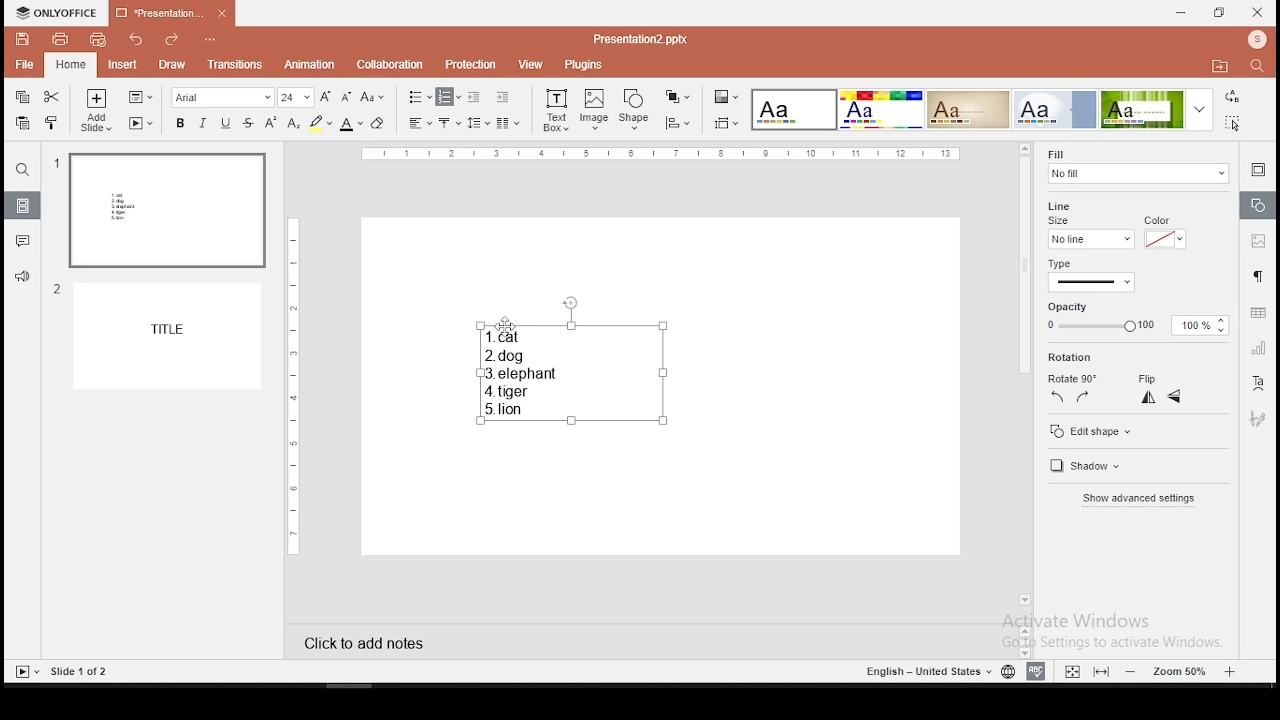 This screenshot has width=1280, height=720. Describe the element at coordinates (555, 111) in the screenshot. I see `text box` at that location.